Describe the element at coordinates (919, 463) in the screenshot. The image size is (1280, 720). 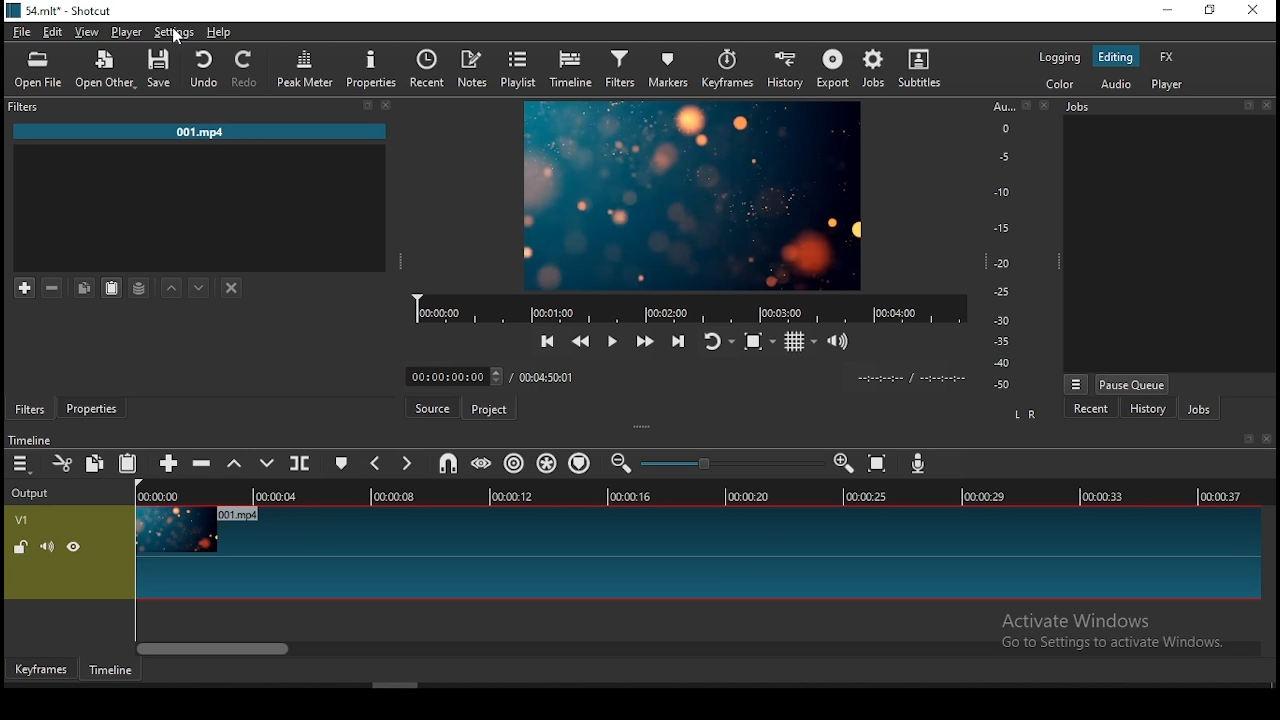
I see `record audio` at that location.